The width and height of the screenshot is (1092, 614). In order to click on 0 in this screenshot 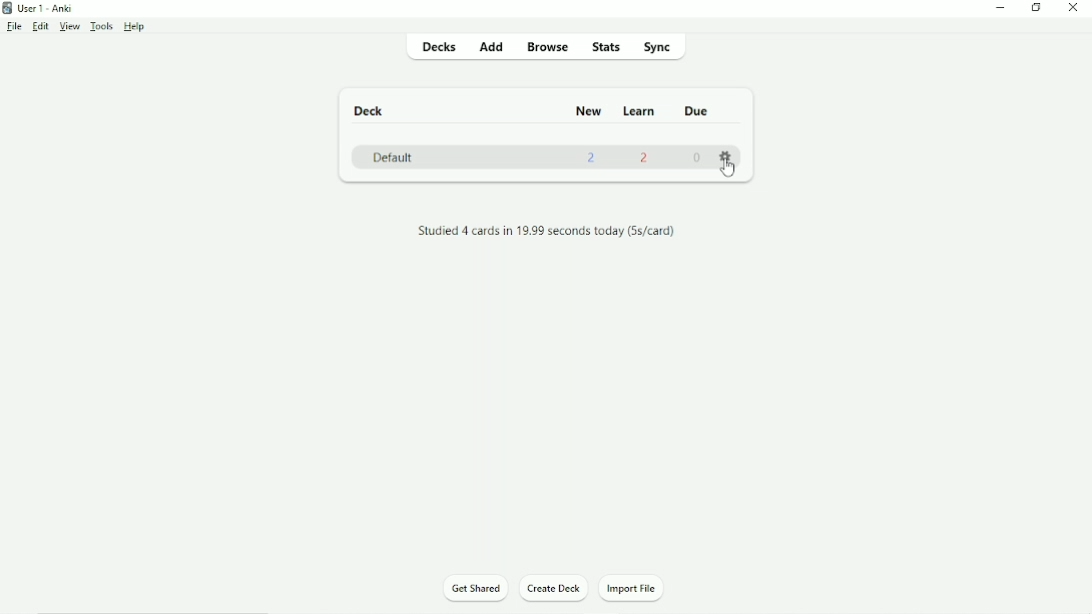, I will do `click(697, 159)`.